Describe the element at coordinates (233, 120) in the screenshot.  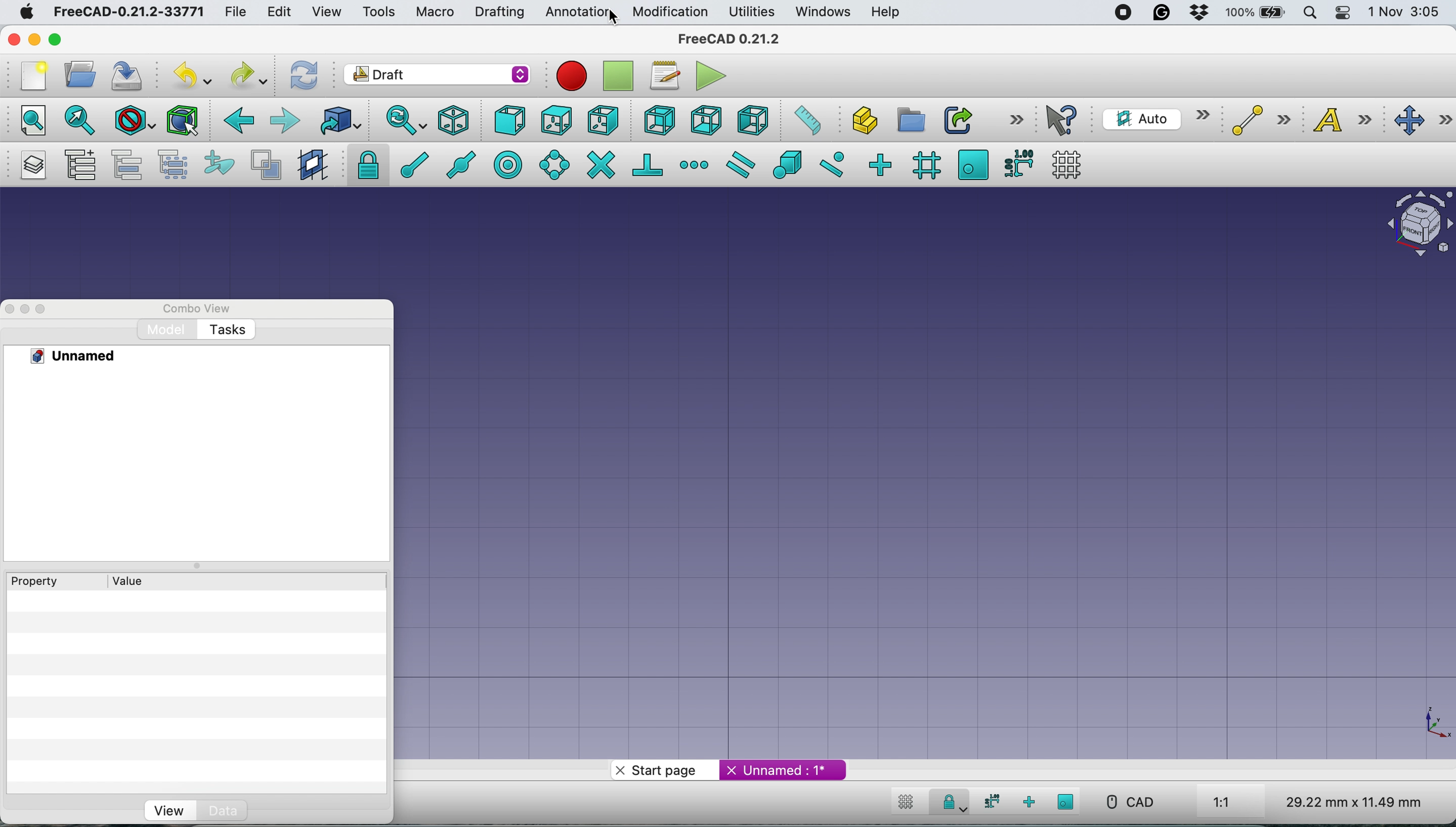
I see `backward` at that location.